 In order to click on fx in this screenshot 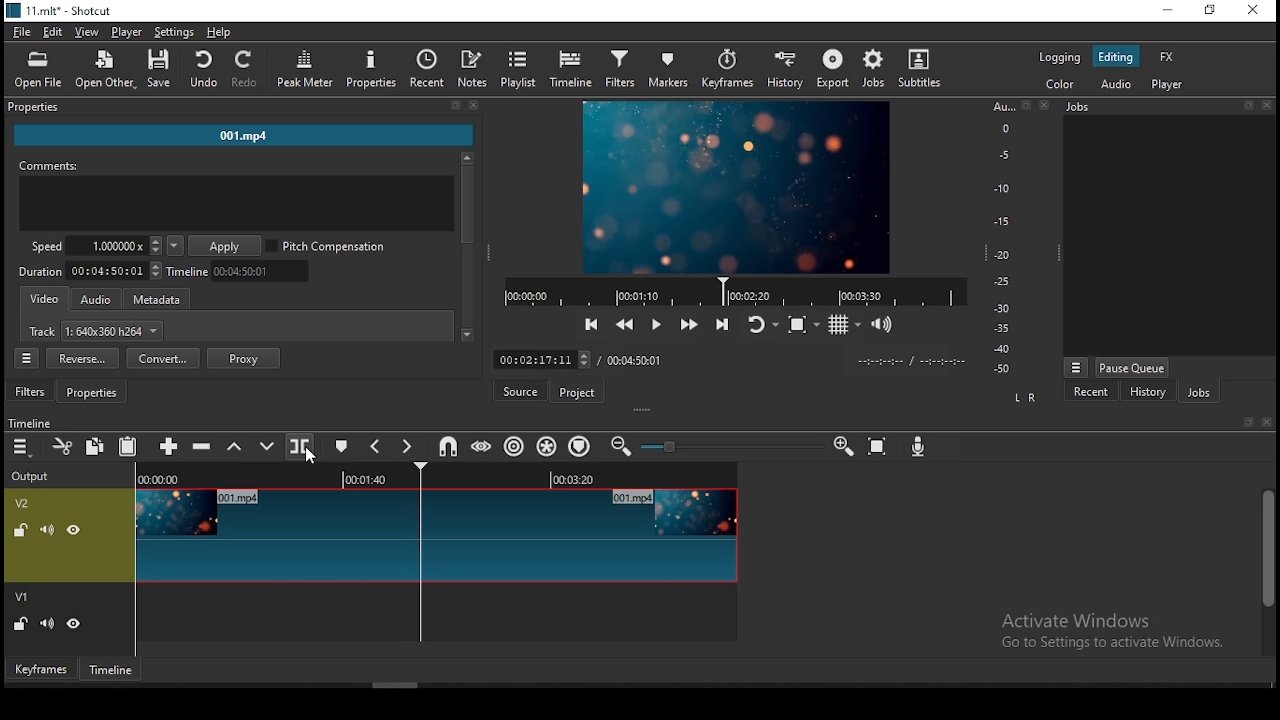, I will do `click(1170, 58)`.